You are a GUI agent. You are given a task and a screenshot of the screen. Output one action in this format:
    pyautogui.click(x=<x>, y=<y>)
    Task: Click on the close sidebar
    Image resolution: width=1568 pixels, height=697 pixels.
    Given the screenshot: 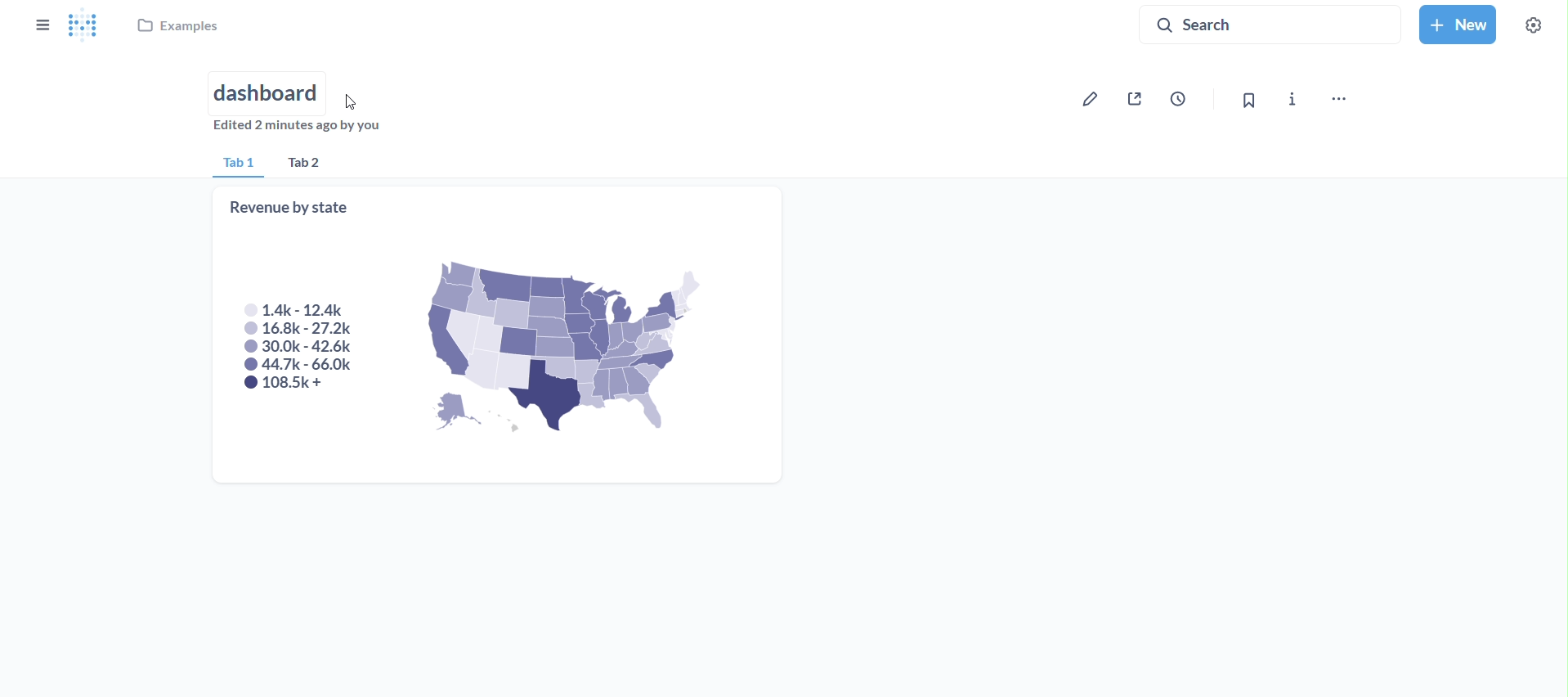 What is the action you would take?
    pyautogui.click(x=41, y=25)
    